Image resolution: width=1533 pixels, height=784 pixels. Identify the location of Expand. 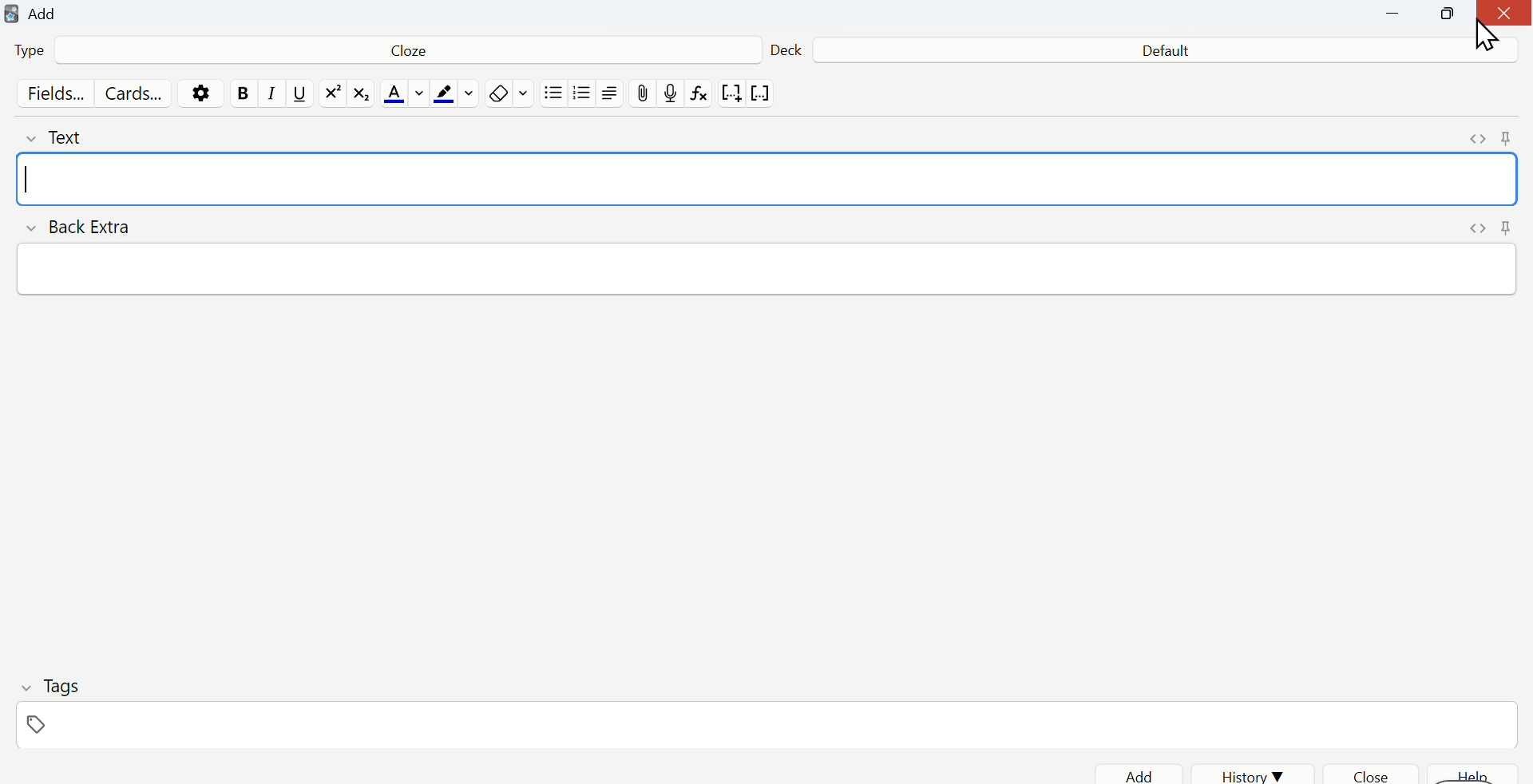
(1477, 230).